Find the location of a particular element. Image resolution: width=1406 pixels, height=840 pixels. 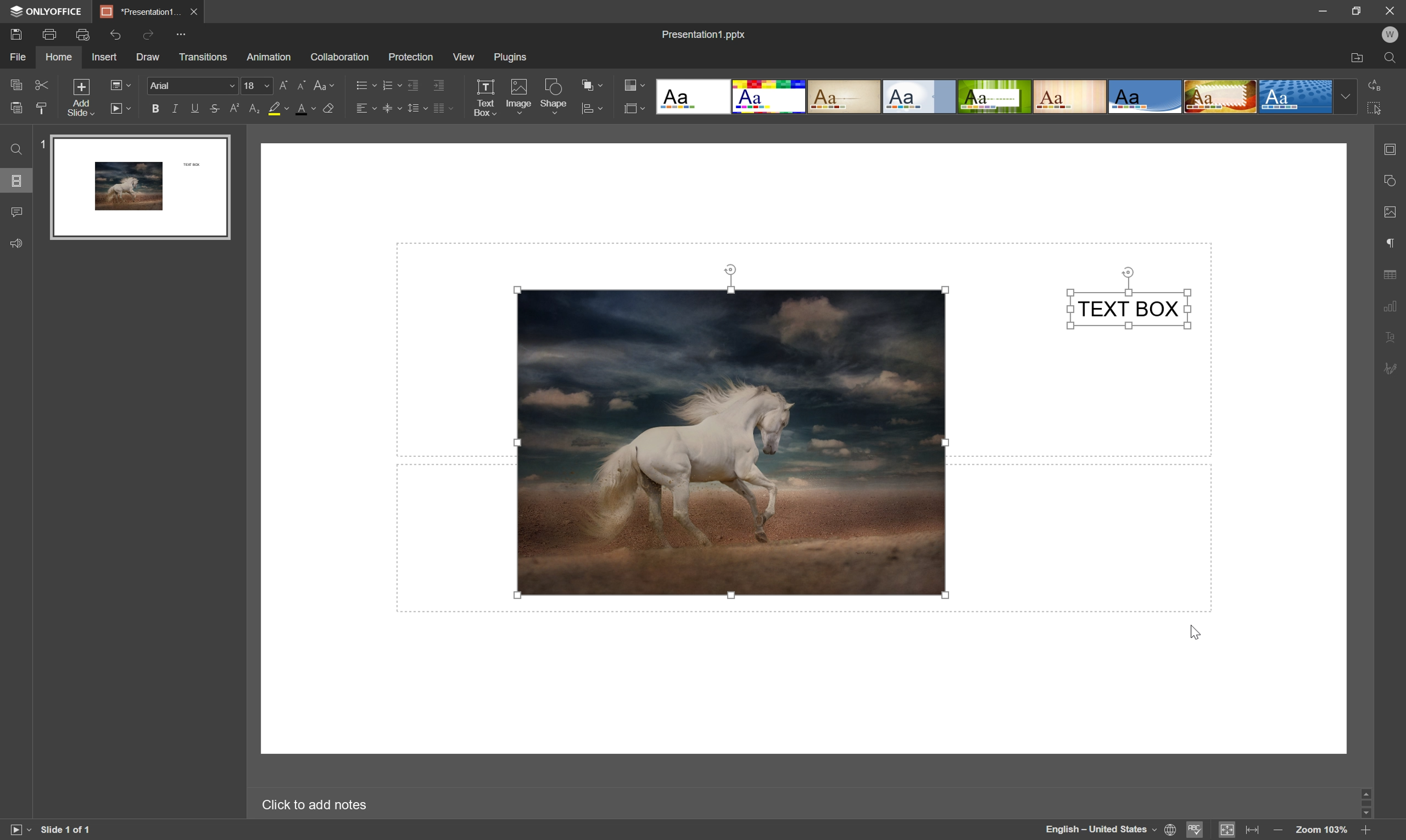

table settings is located at coordinates (1391, 275).